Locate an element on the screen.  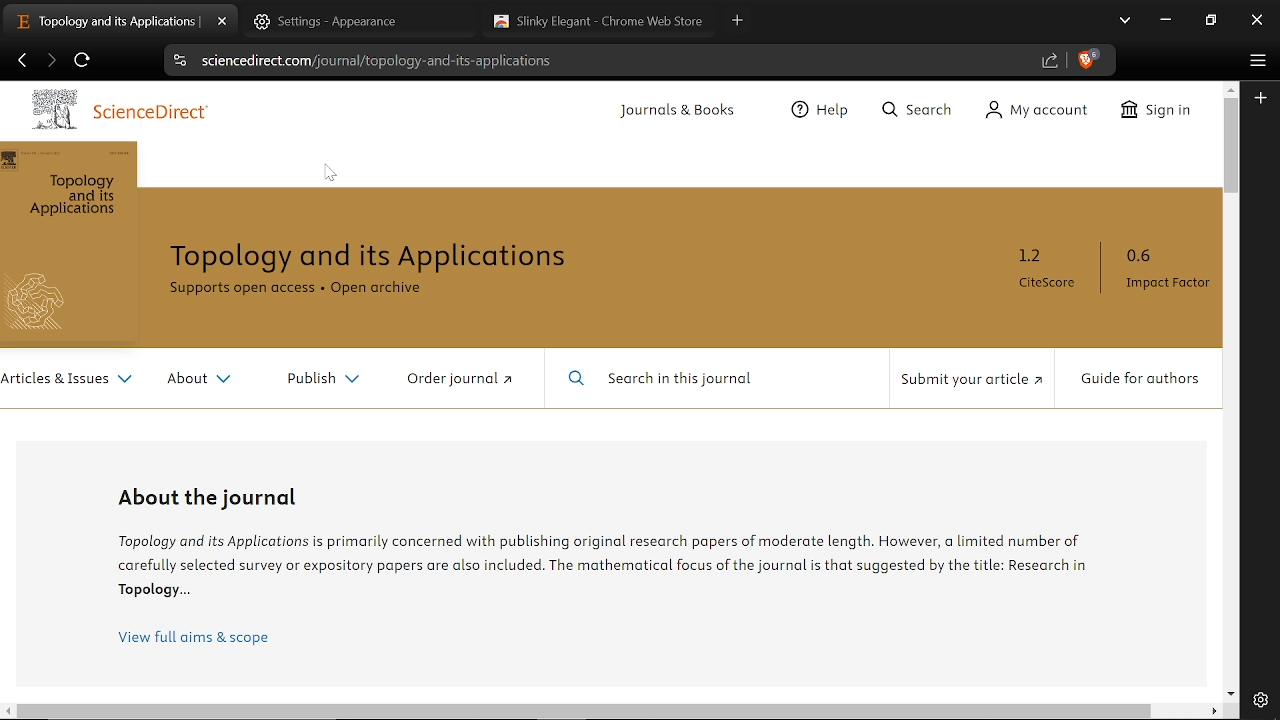
Order Journal is located at coordinates (462, 380).